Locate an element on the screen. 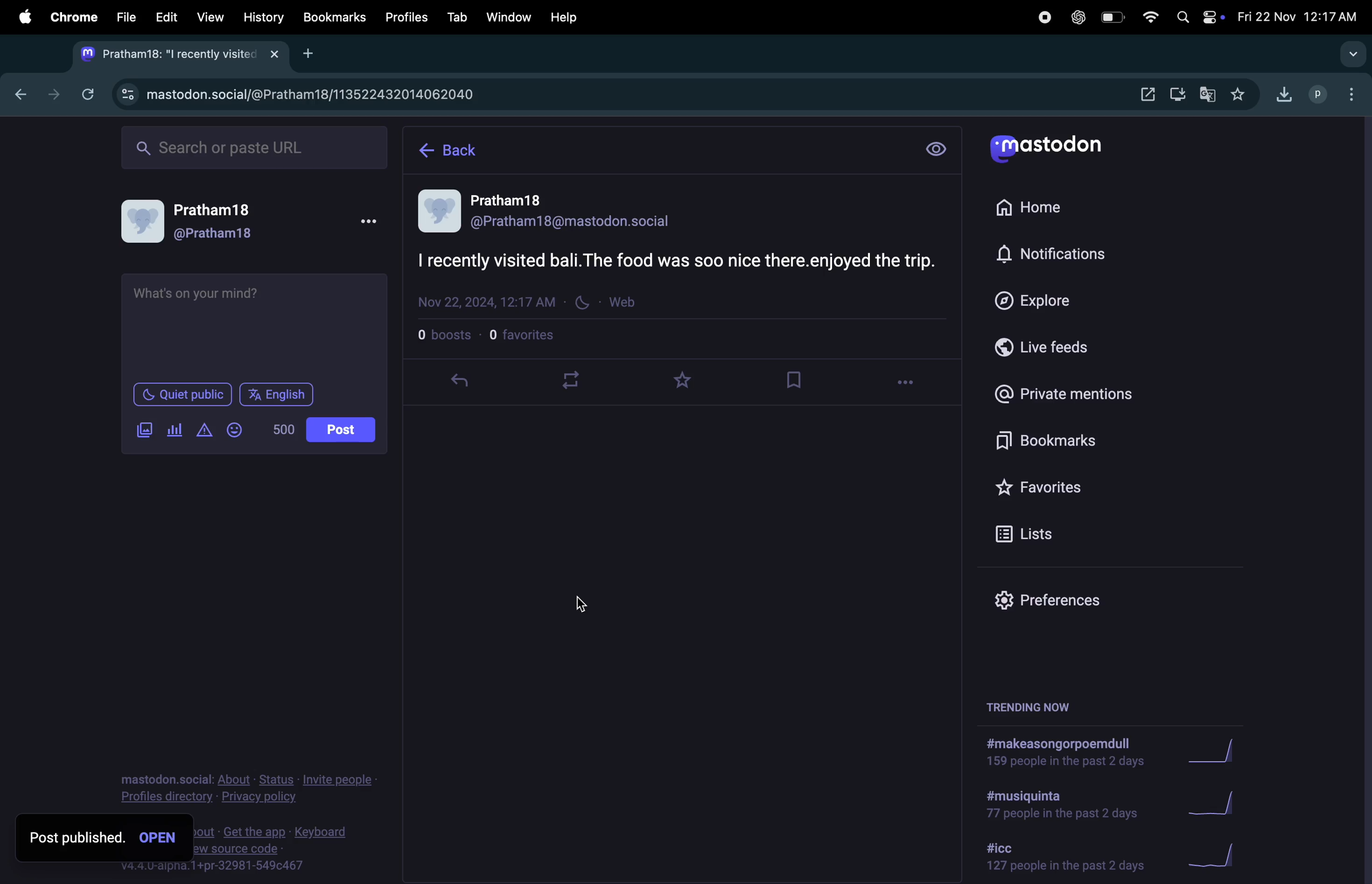 The height and width of the screenshot is (884, 1372). poles is located at coordinates (173, 429).